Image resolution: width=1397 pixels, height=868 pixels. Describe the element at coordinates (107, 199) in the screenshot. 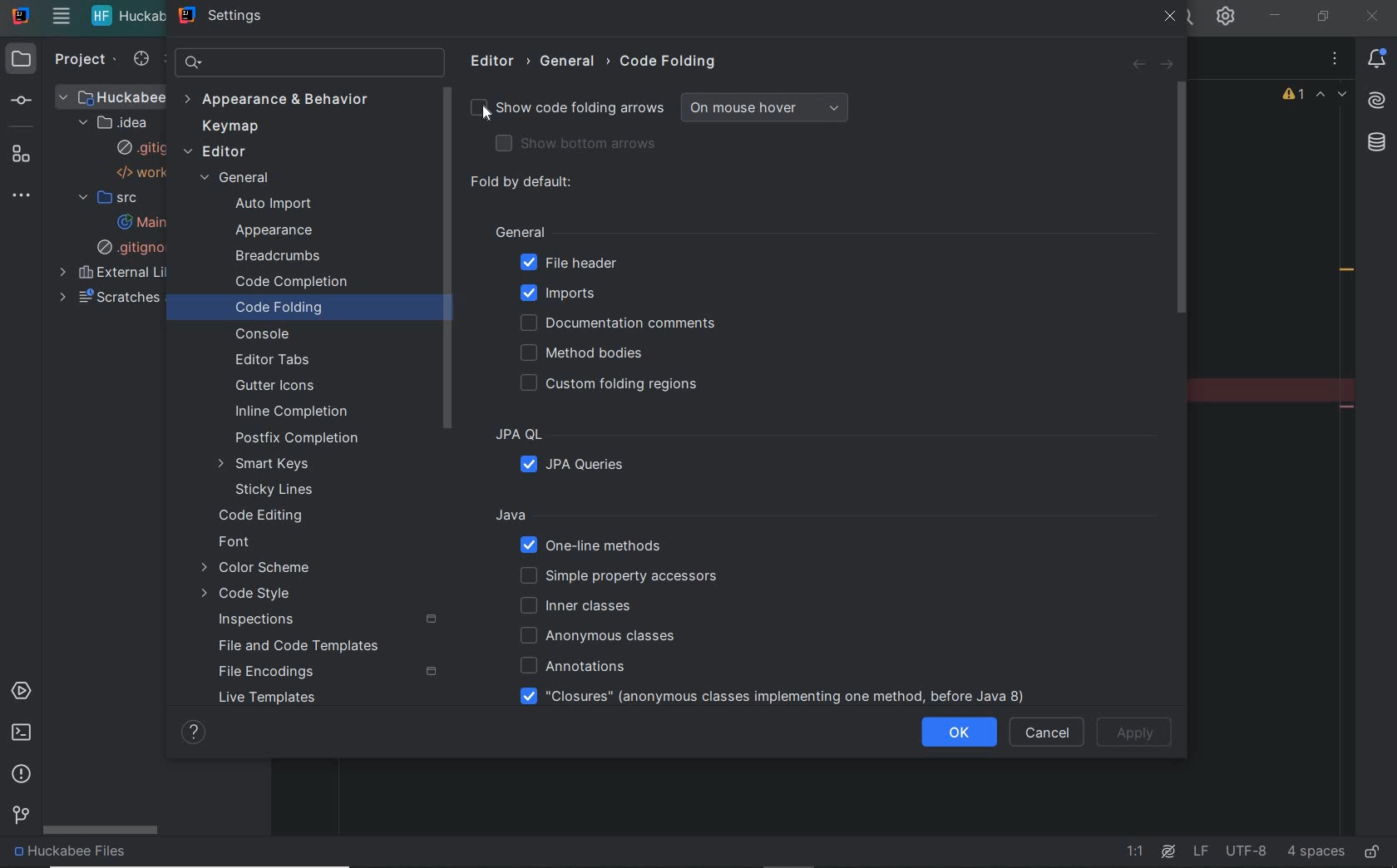

I see `src` at that location.